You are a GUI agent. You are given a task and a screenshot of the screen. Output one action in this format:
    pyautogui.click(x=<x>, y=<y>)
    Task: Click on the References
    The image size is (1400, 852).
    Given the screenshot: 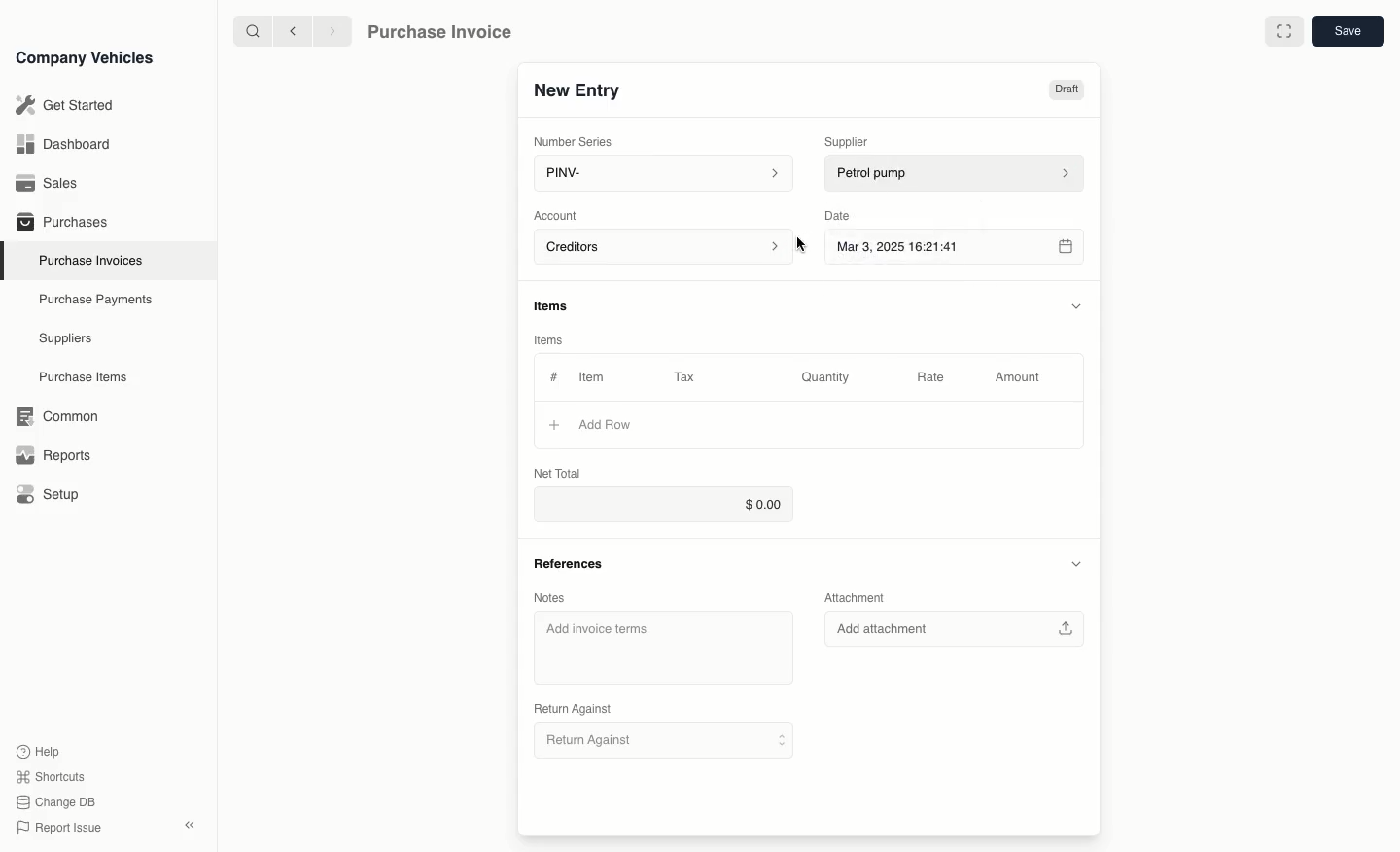 What is the action you would take?
    pyautogui.click(x=568, y=566)
    